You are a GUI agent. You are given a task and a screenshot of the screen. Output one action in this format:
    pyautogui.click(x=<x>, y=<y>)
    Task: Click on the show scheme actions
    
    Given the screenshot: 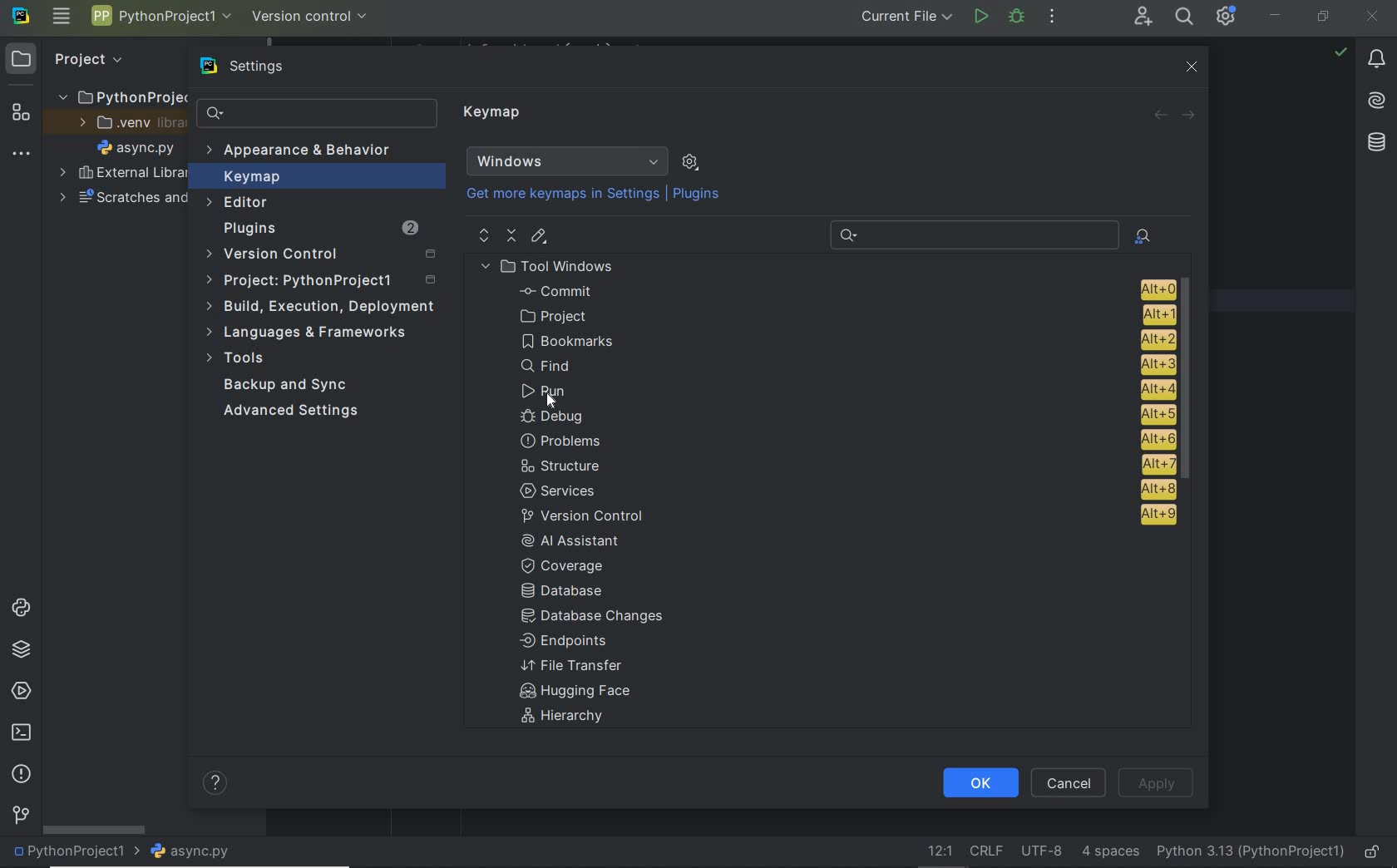 What is the action you would take?
    pyautogui.click(x=690, y=161)
    